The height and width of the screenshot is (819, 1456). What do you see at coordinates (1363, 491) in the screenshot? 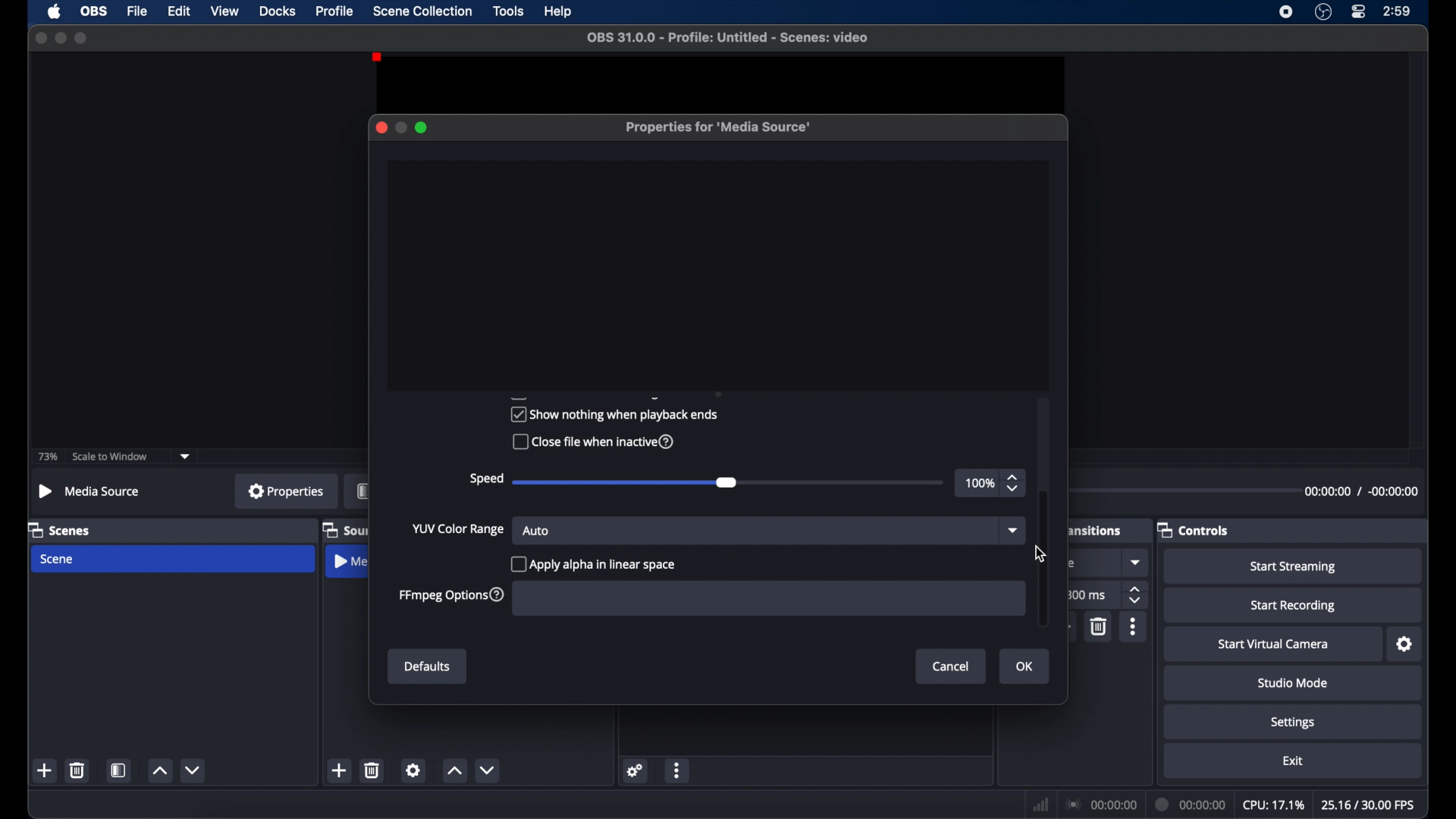
I see `timestamp` at bounding box center [1363, 491].